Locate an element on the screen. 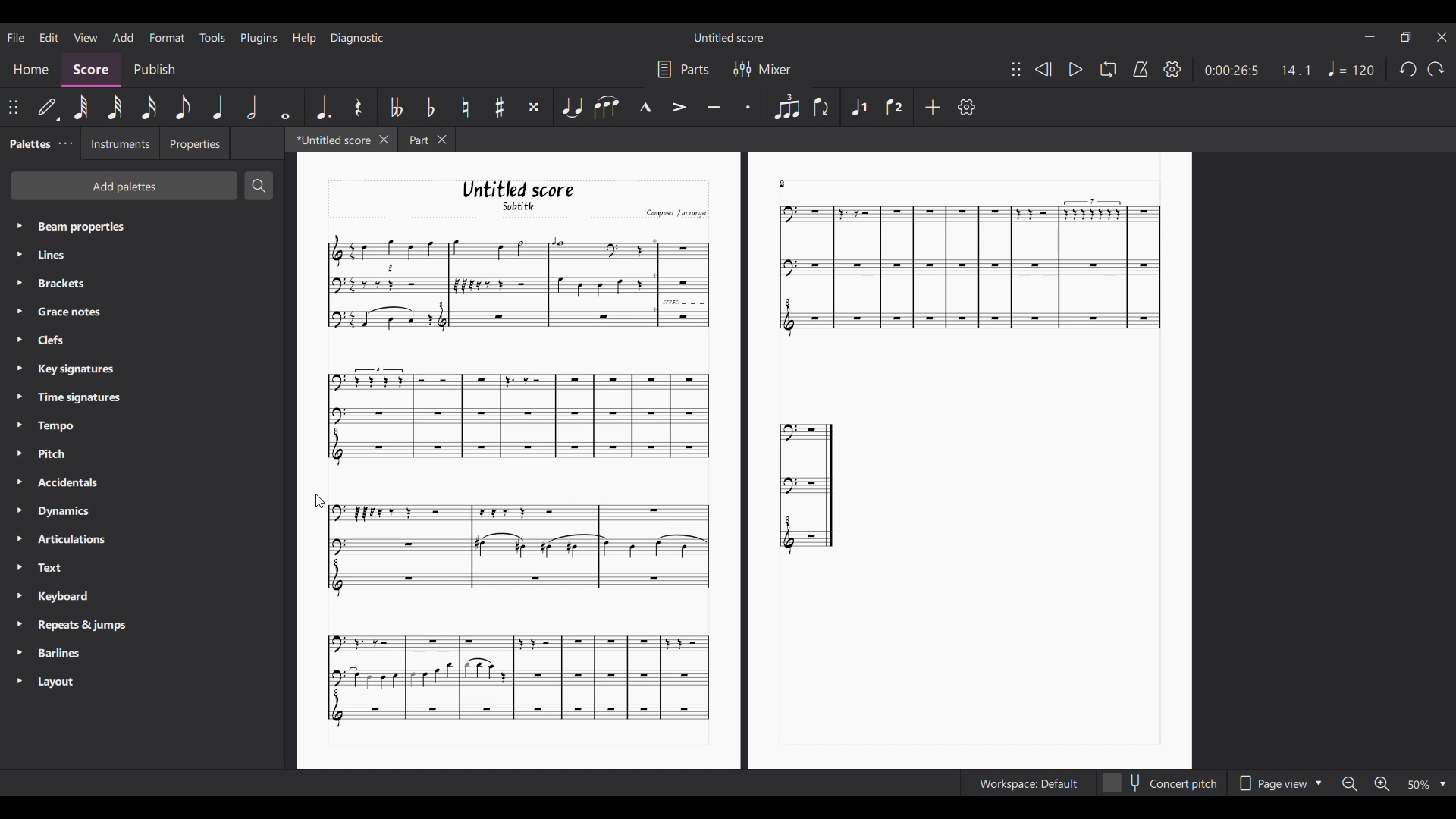  Score  is located at coordinates (91, 71).